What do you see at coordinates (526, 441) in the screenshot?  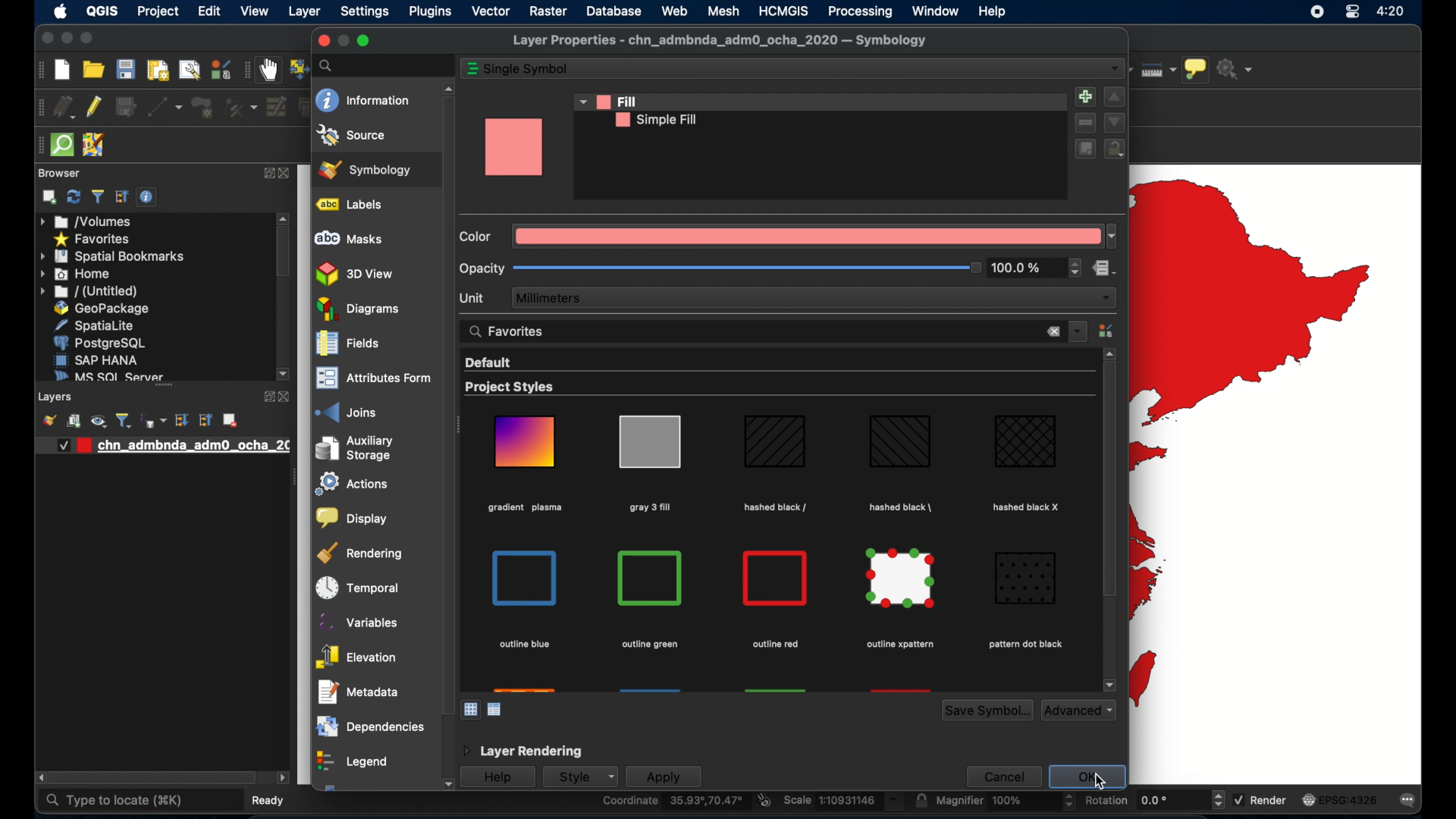 I see `Gradient preview ` at bounding box center [526, 441].